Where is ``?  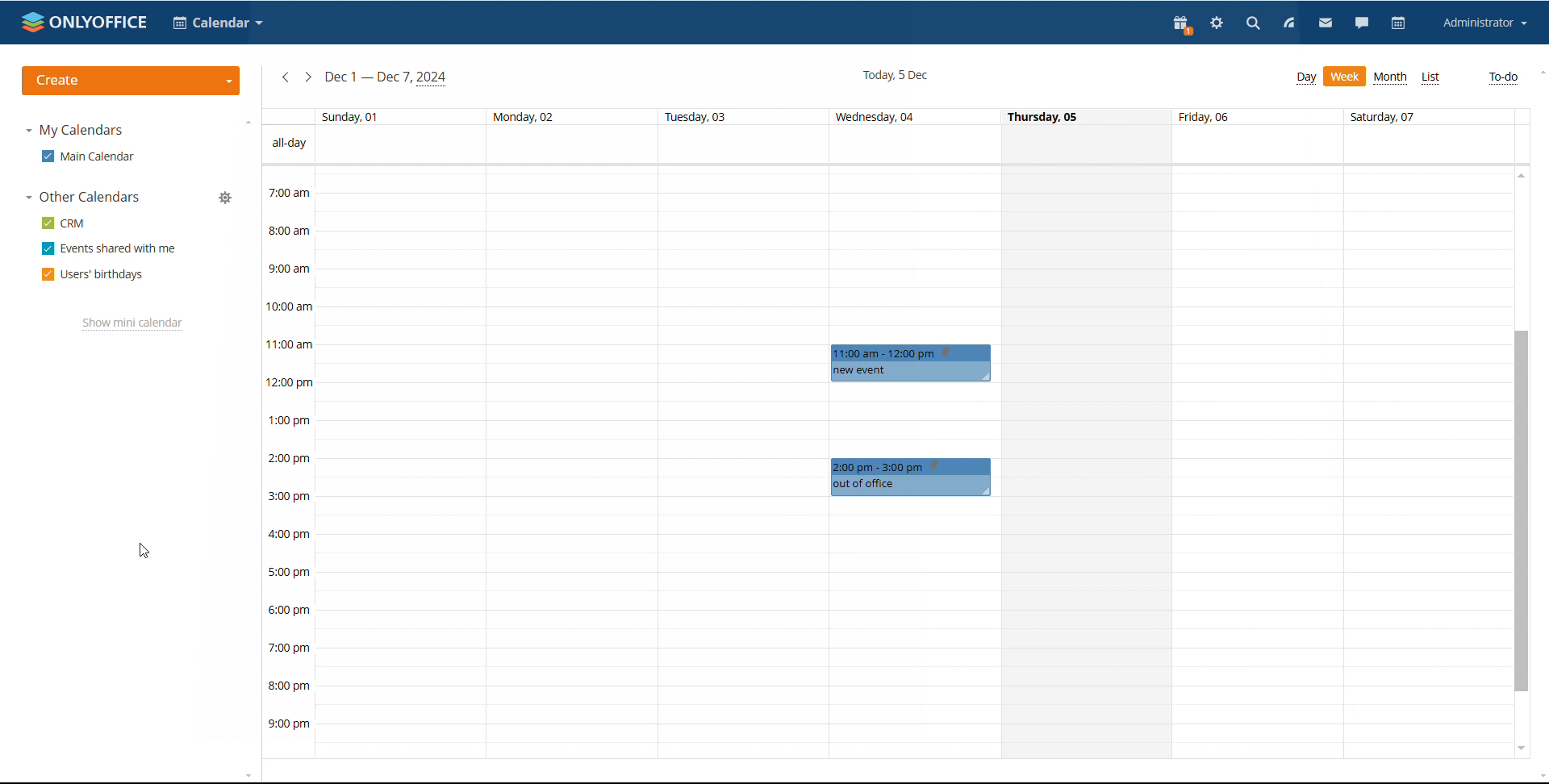  is located at coordinates (912, 477).